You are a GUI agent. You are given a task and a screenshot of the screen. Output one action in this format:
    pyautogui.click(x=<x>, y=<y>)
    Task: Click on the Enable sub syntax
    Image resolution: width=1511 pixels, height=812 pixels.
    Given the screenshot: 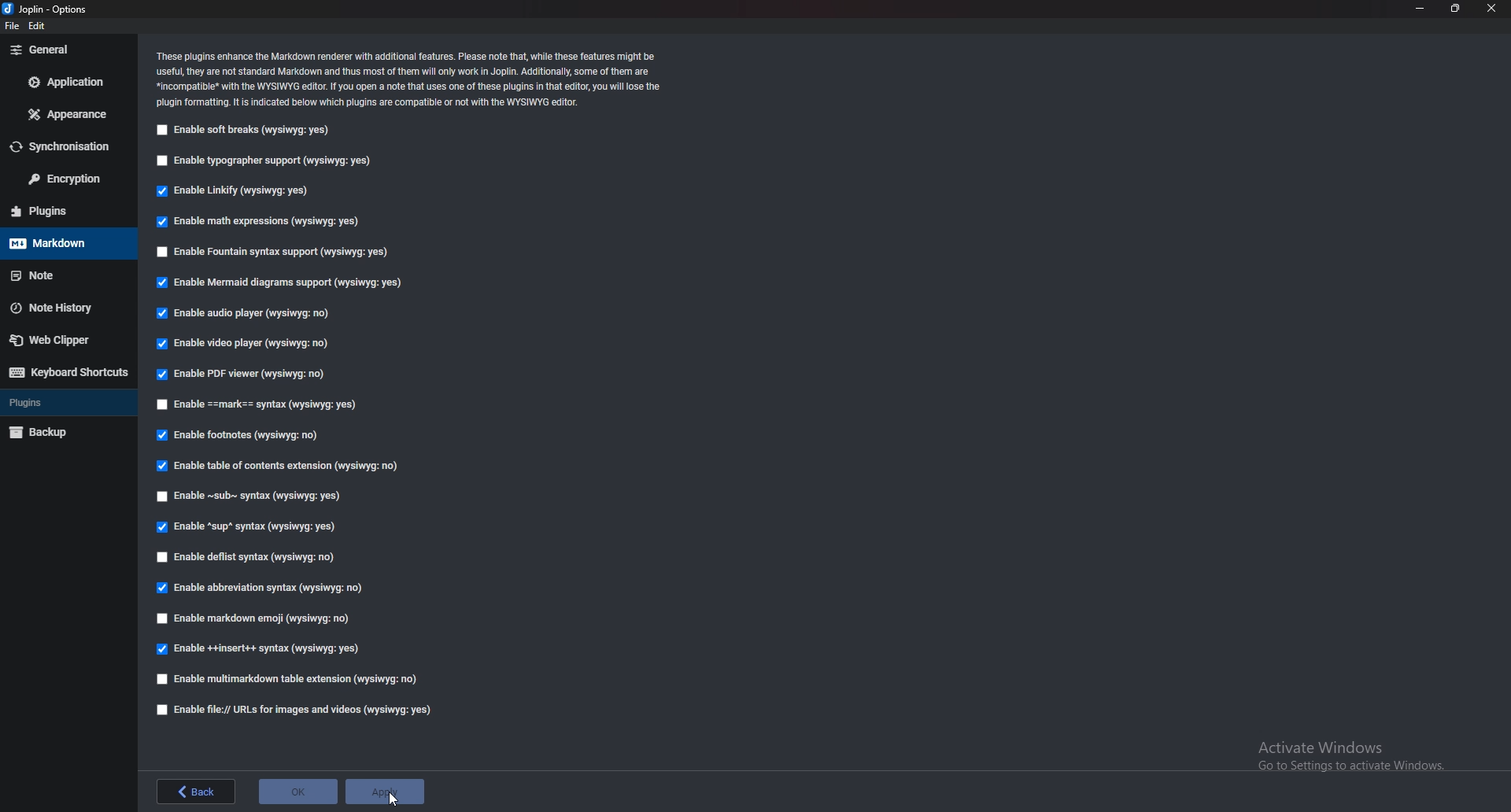 What is the action you would take?
    pyautogui.click(x=253, y=498)
    